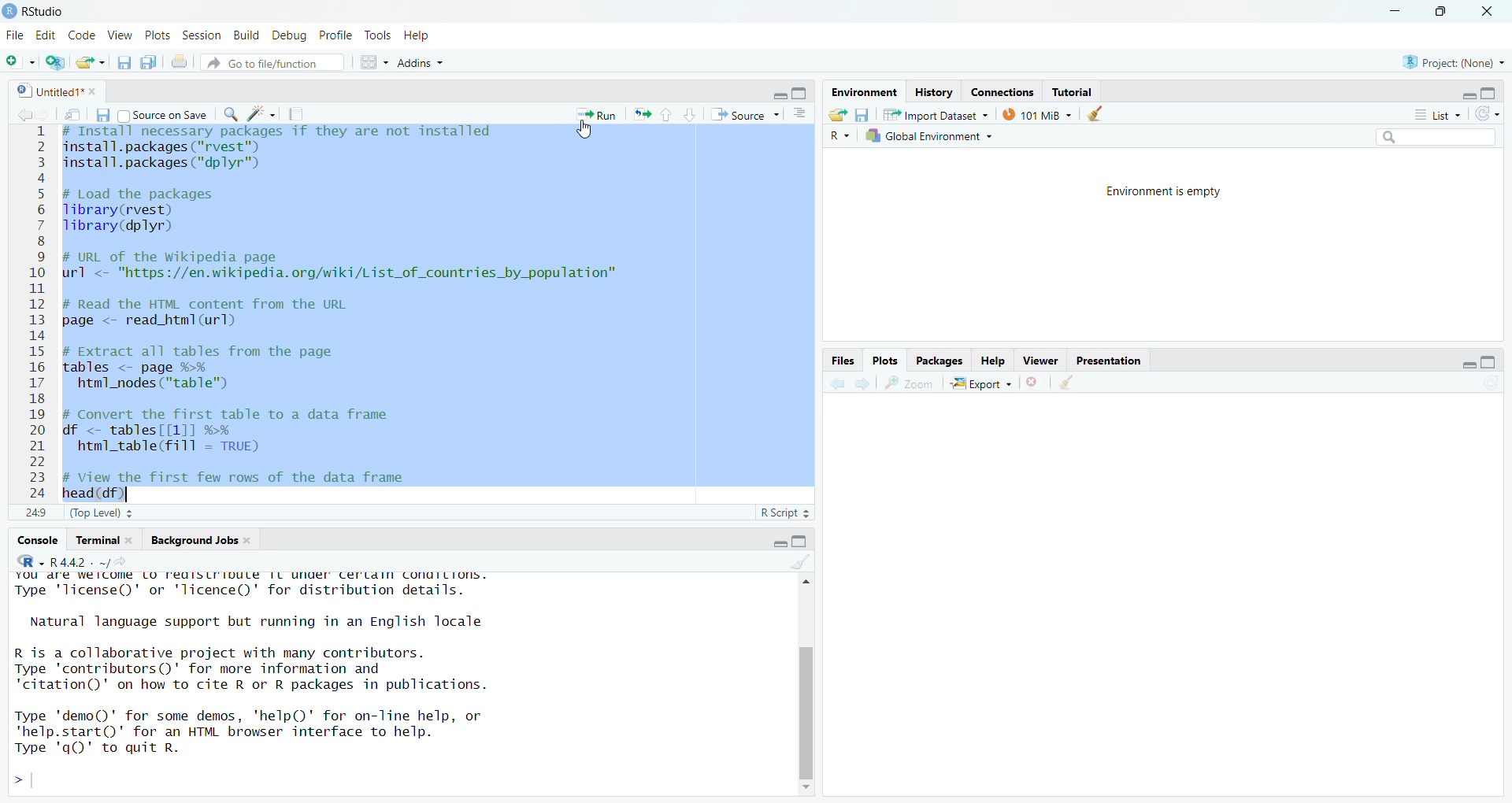 The image size is (1512, 803). I want to click on print, so click(179, 61).